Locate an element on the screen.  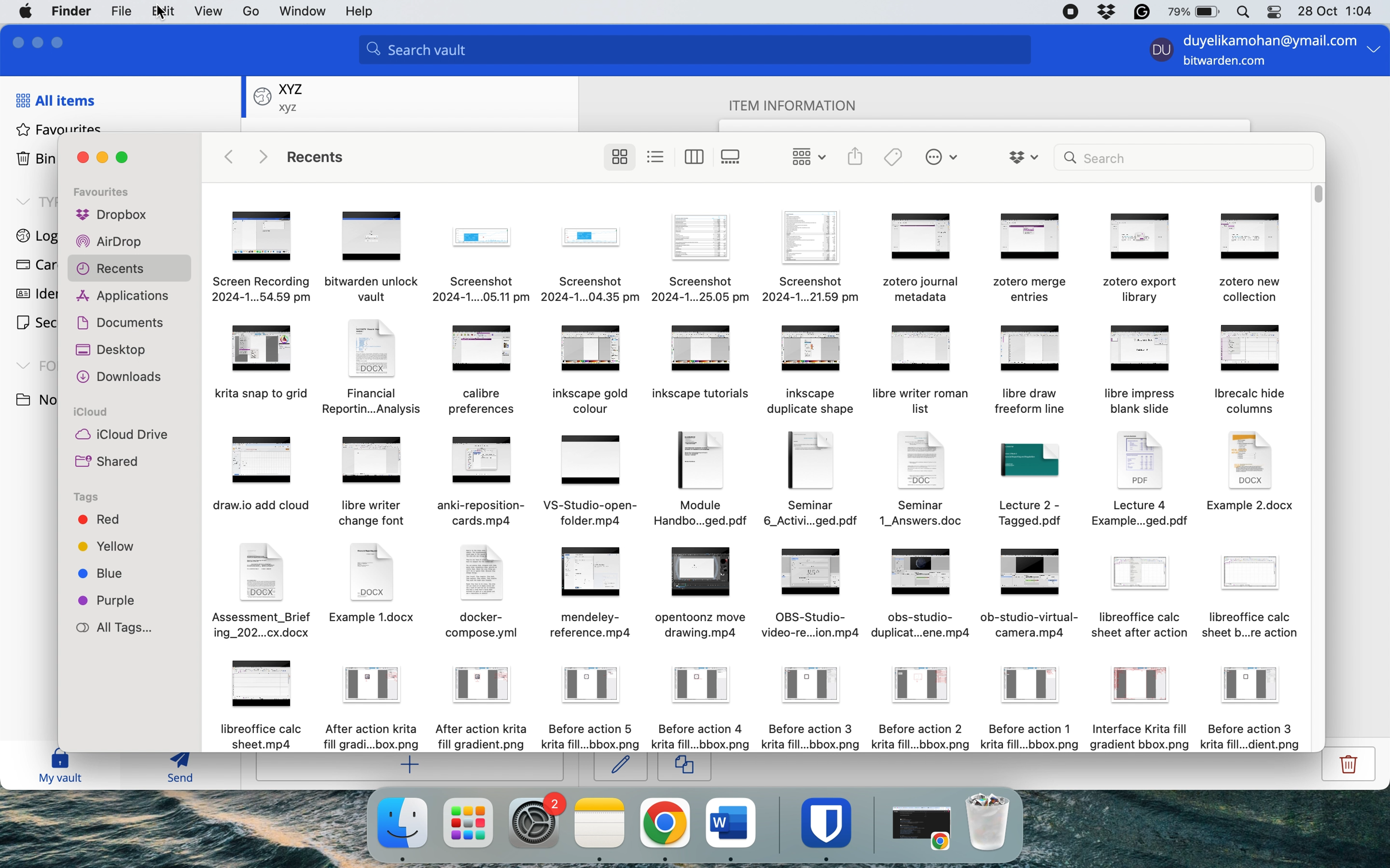
date and time is located at coordinates (1338, 10).